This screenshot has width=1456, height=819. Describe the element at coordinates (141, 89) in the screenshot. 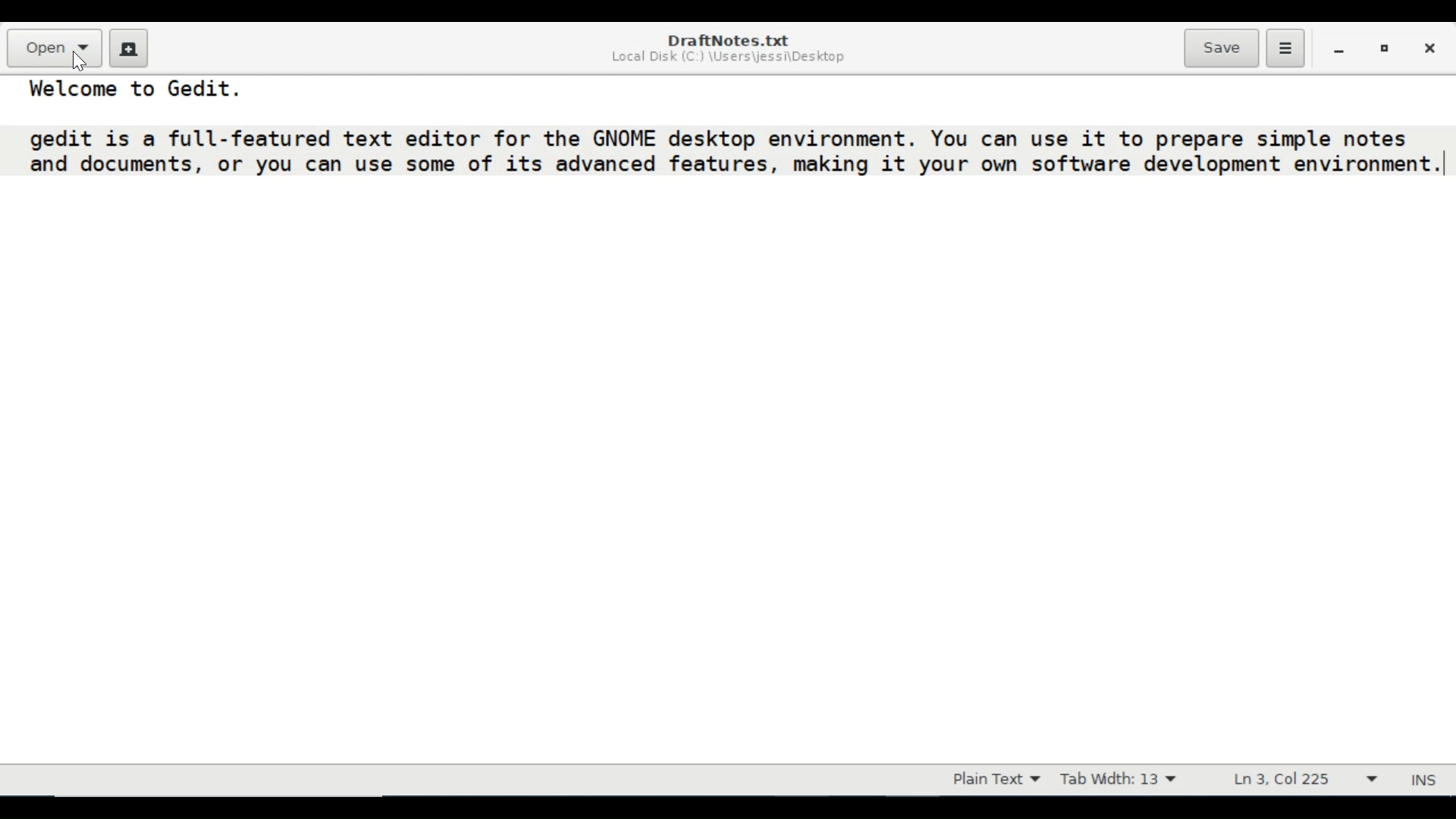

I see `Welcome to Gedit.` at that location.